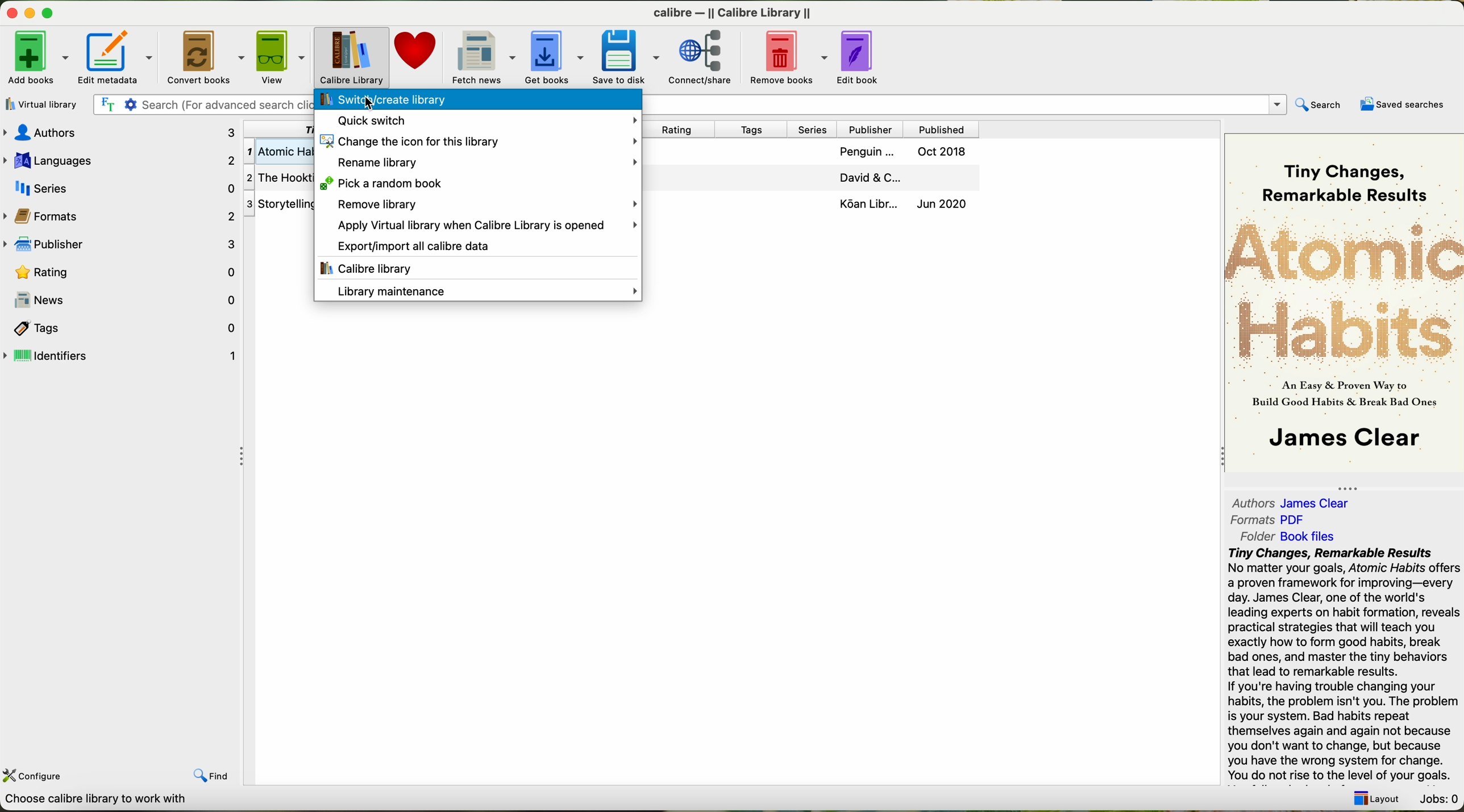  I want to click on pick a random book, so click(477, 184).